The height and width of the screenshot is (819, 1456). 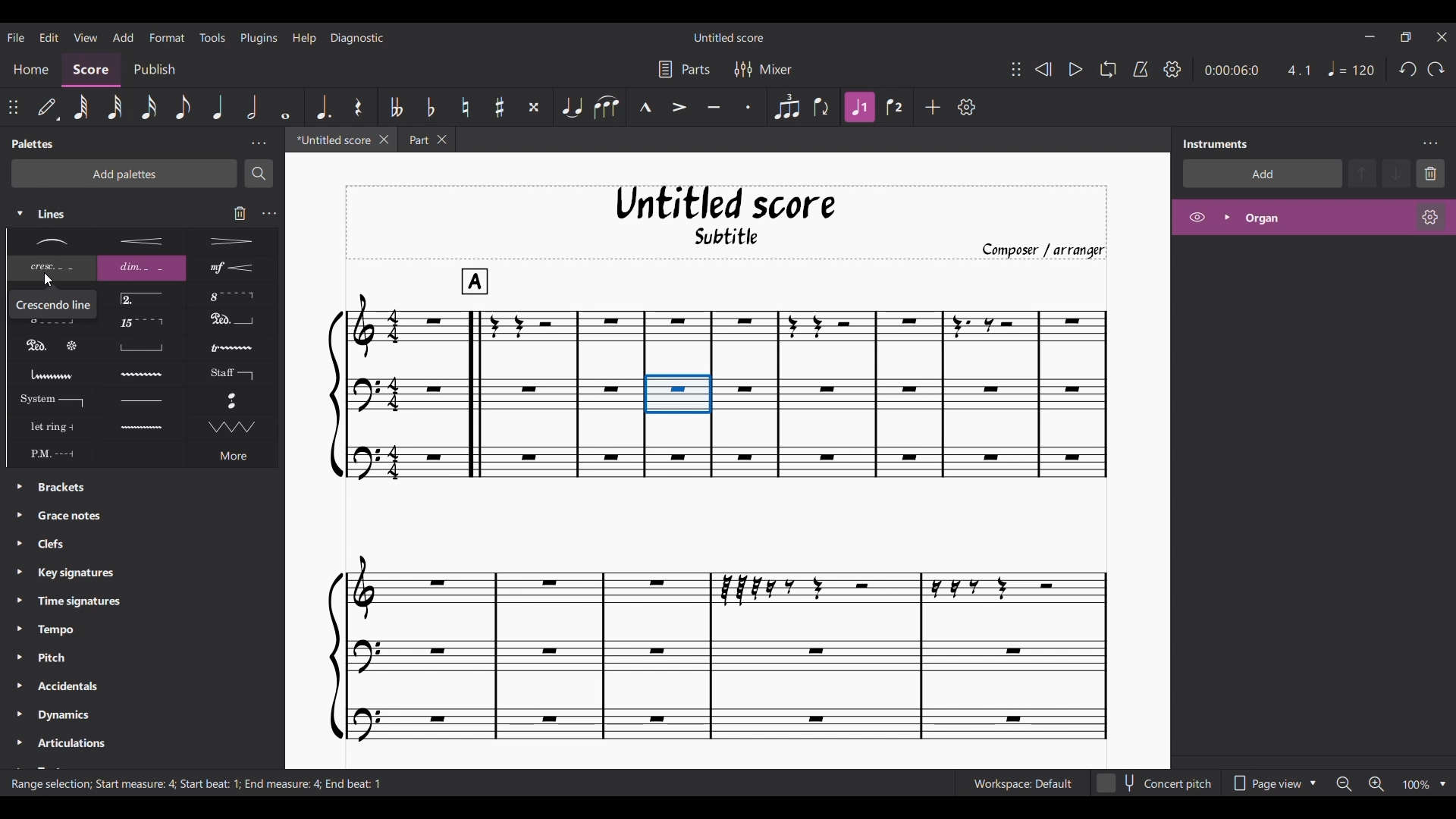 I want to click on Panel title, so click(x=1216, y=143).